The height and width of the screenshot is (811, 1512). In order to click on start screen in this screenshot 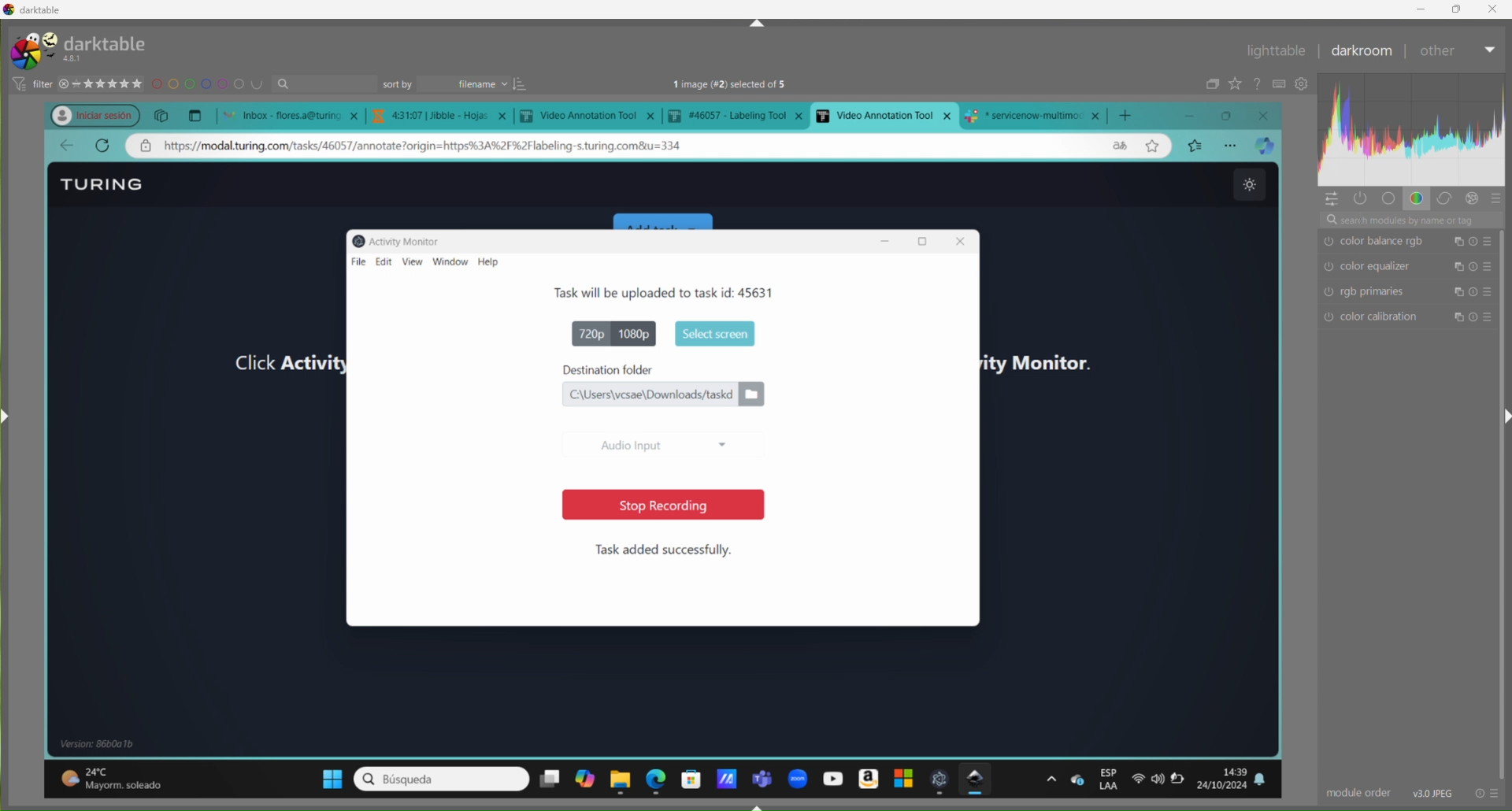, I will do `click(712, 332)`.